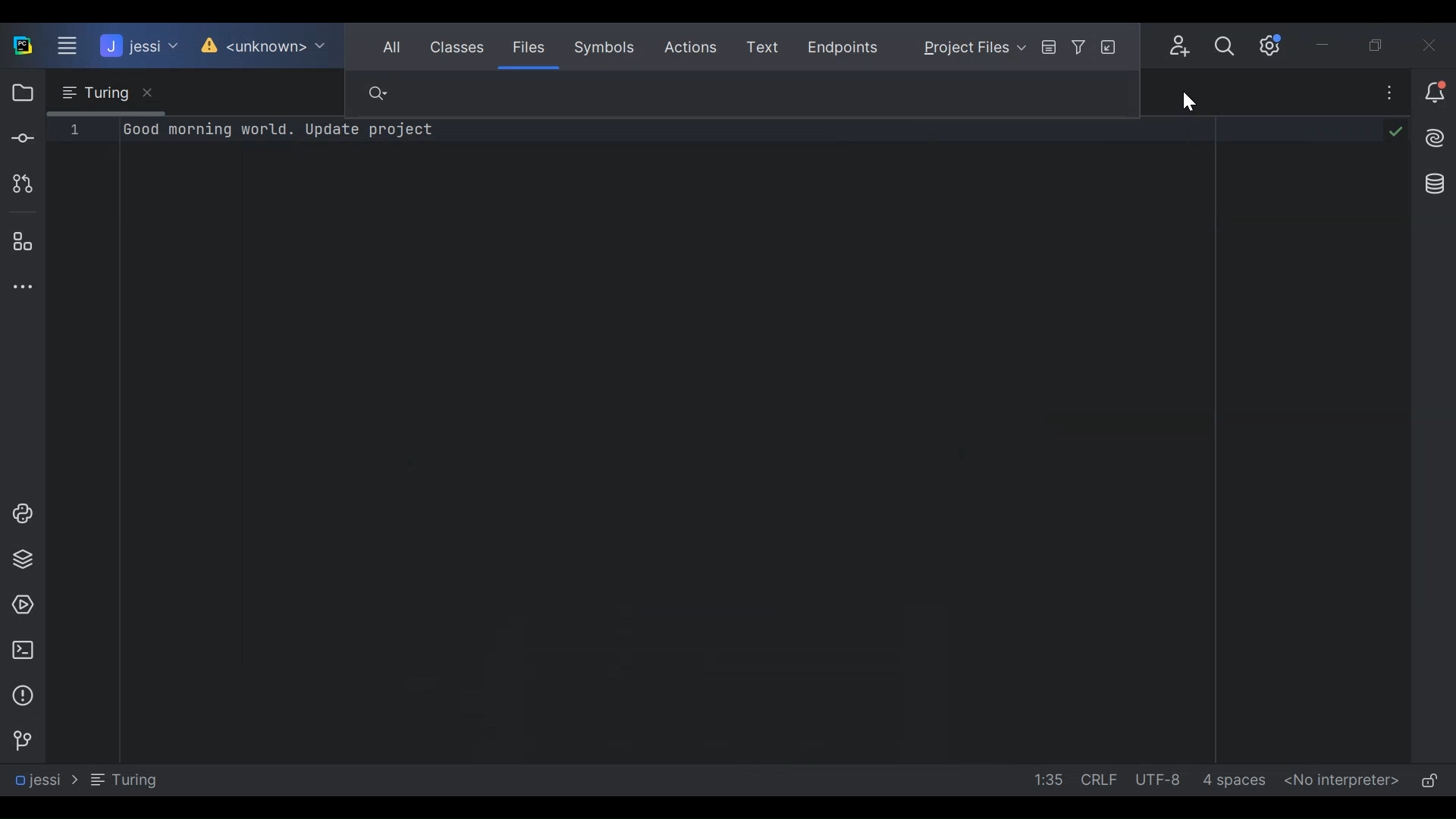  What do you see at coordinates (390, 47) in the screenshot?
I see `All` at bounding box center [390, 47].